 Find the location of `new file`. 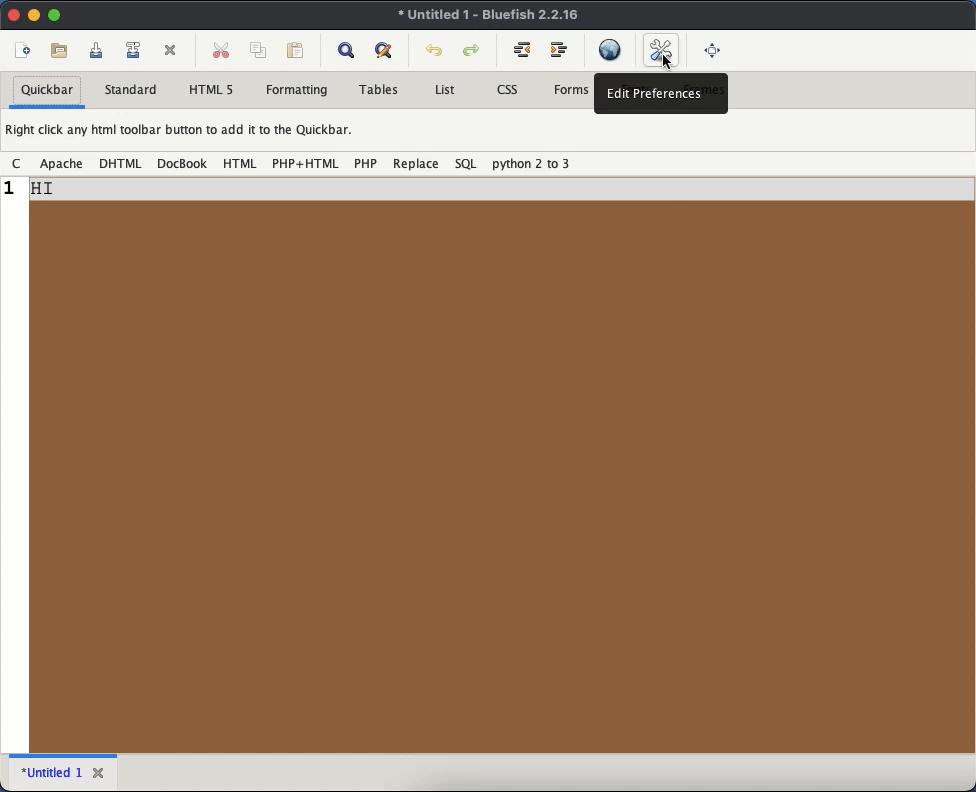

new file is located at coordinates (20, 49).